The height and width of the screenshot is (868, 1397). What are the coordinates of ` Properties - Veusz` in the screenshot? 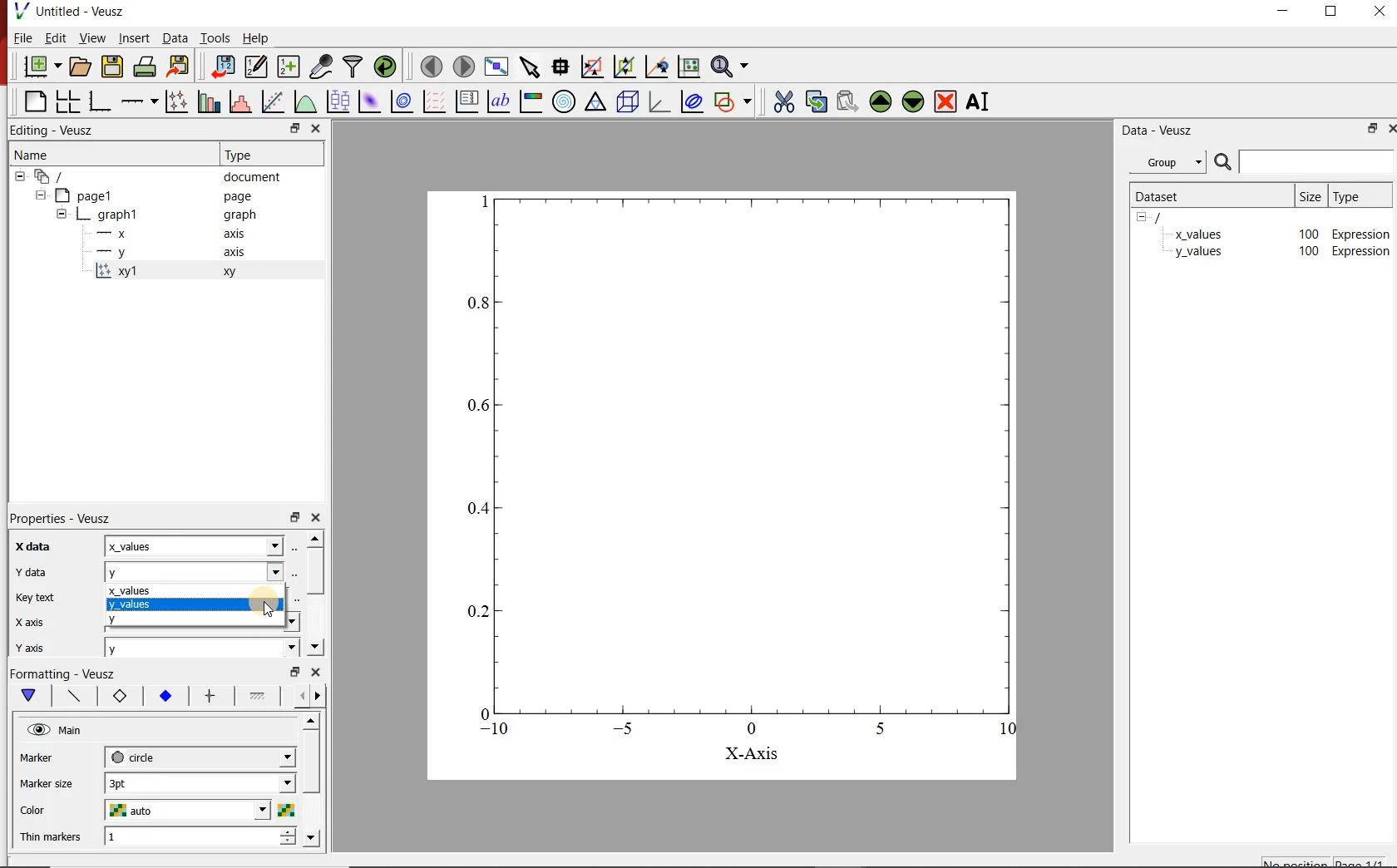 It's located at (65, 518).